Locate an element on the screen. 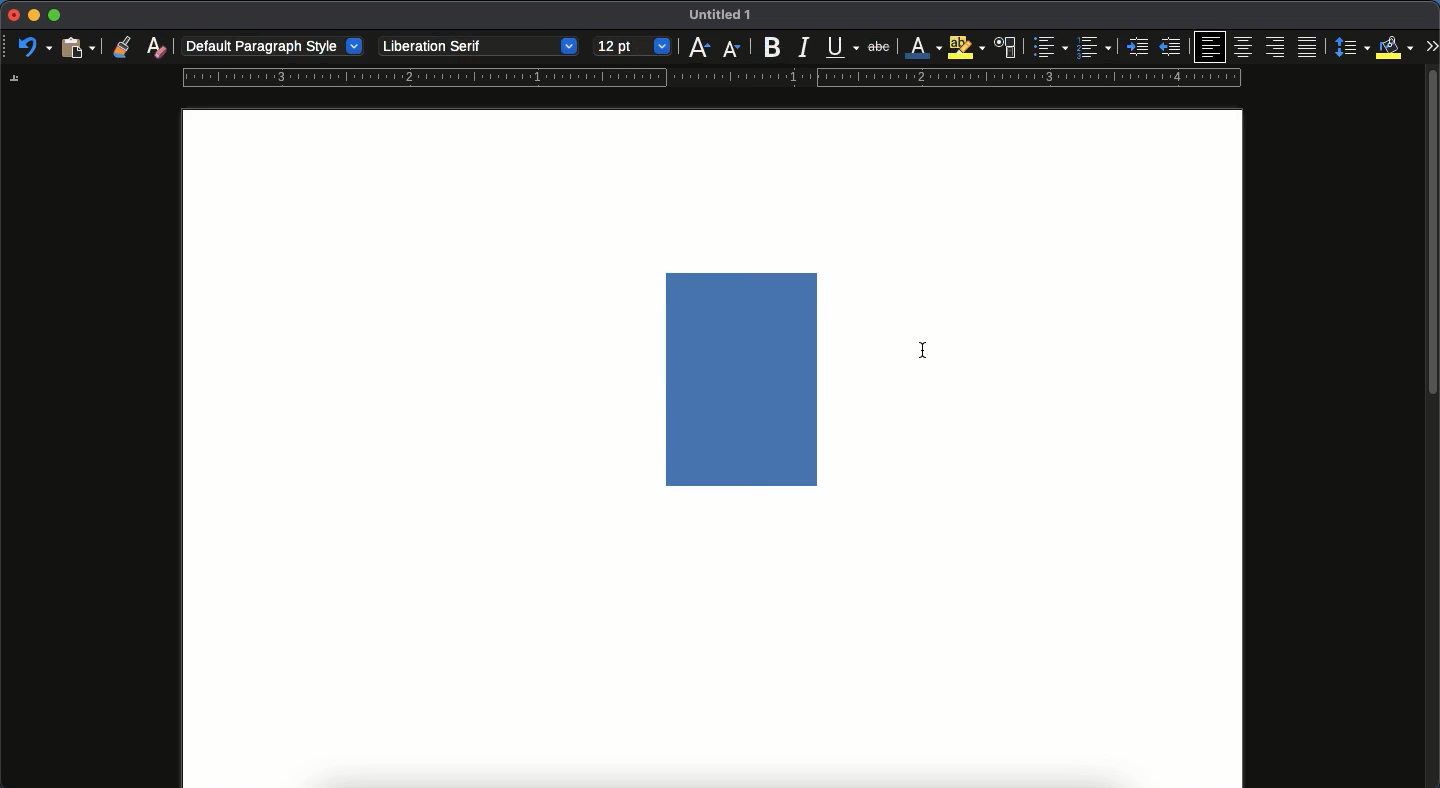 This screenshot has height=788, width=1440. right align is located at coordinates (1277, 48).